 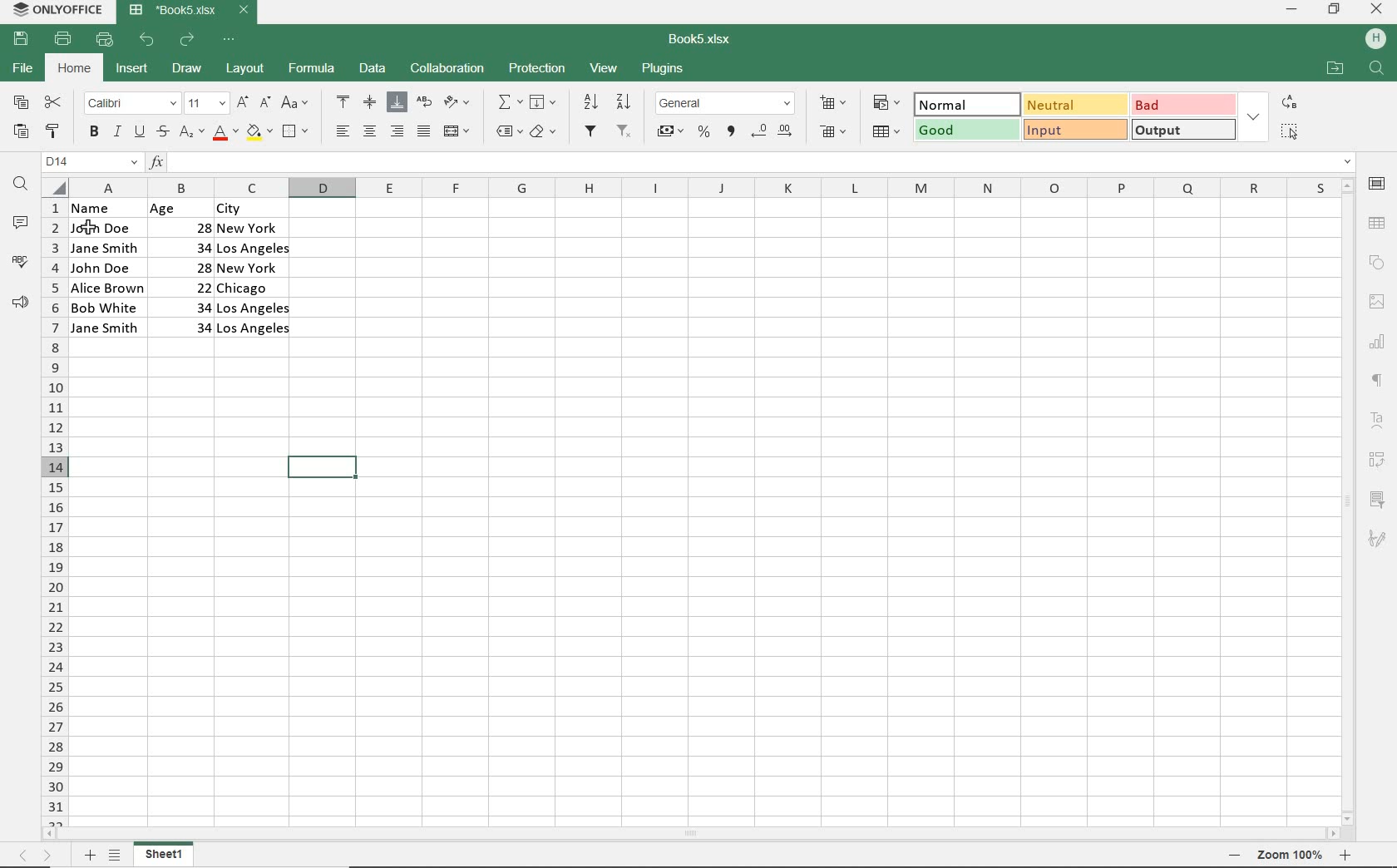 I want to click on DOCUMENT NAME, so click(x=706, y=40).